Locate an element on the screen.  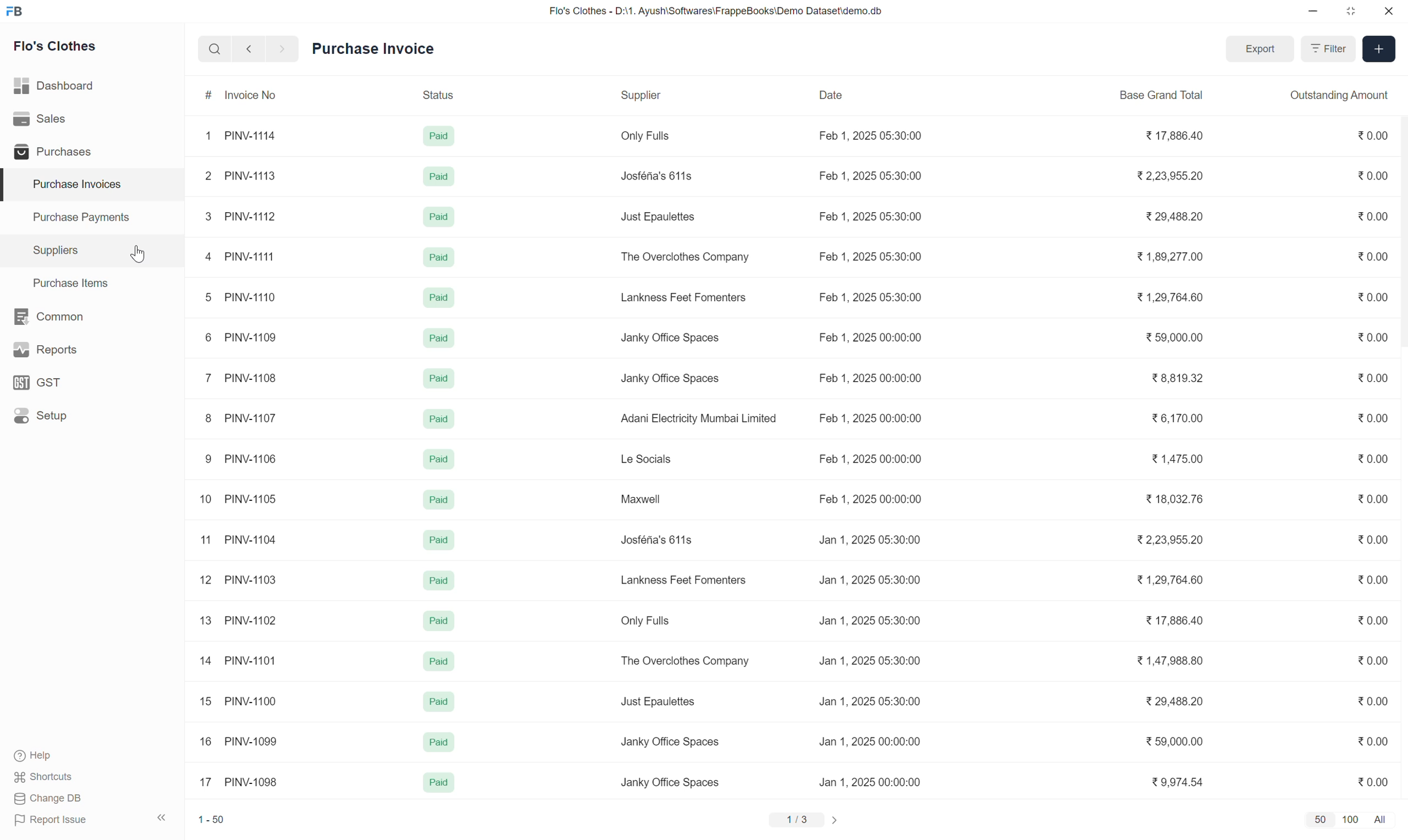
15 is located at coordinates (206, 700).